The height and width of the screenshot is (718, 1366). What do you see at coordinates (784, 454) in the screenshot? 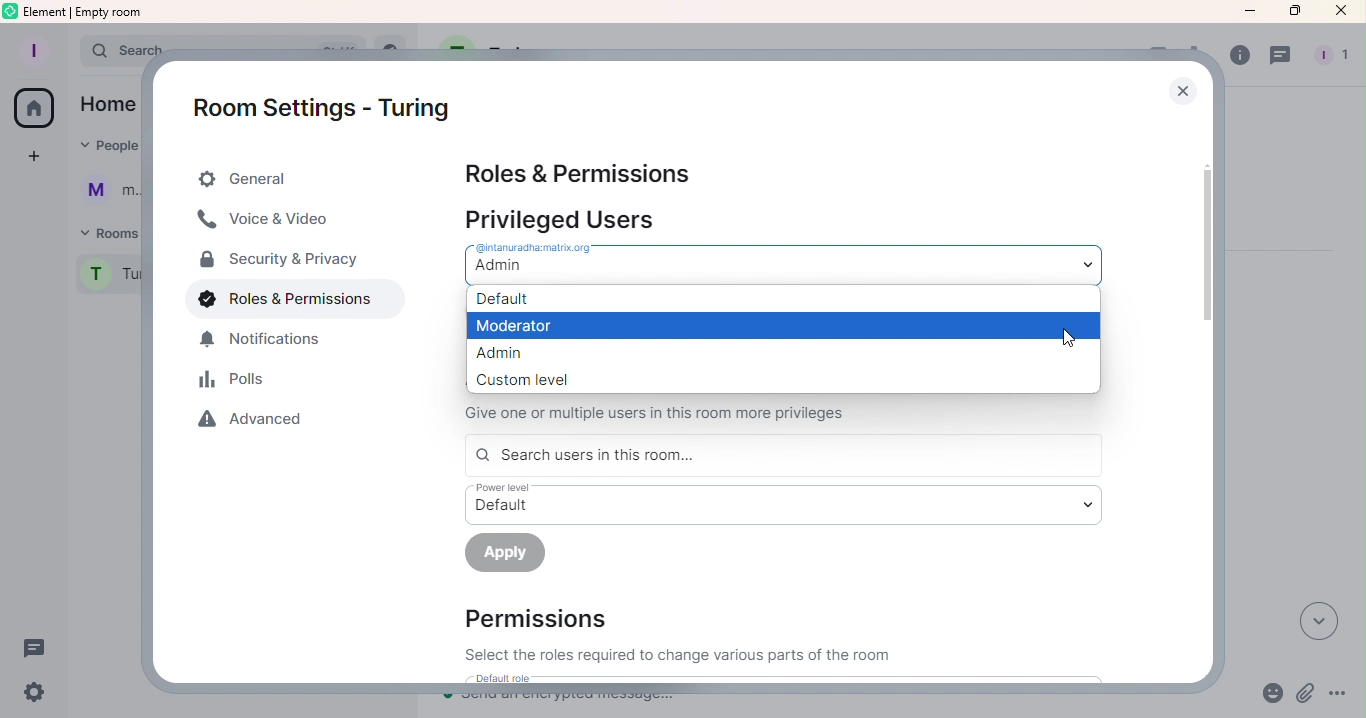
I see `Search users in this room` at bounding box center [784, 454].